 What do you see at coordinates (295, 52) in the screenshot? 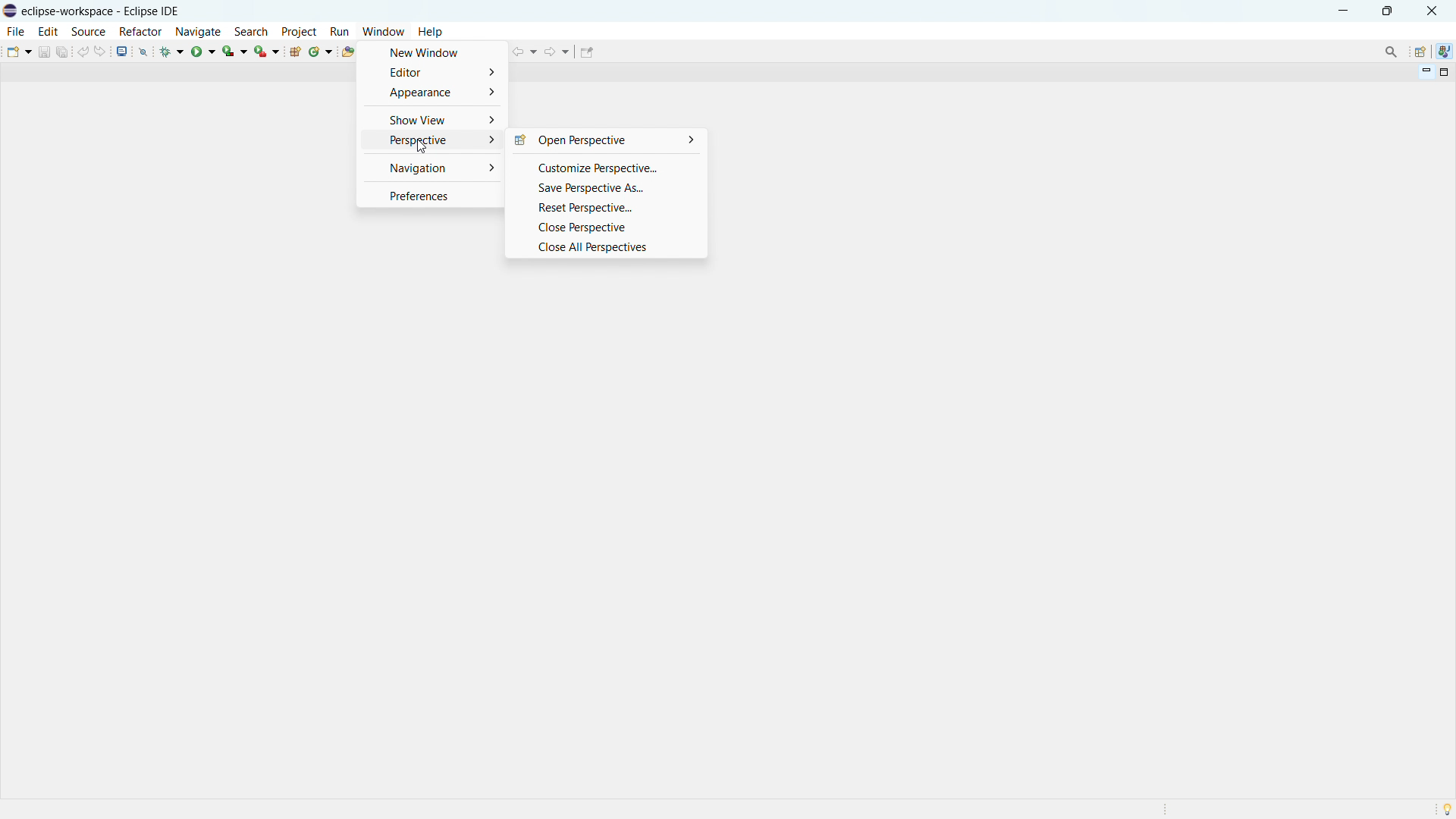
I see `new java package` at bounding box center [295, 52].